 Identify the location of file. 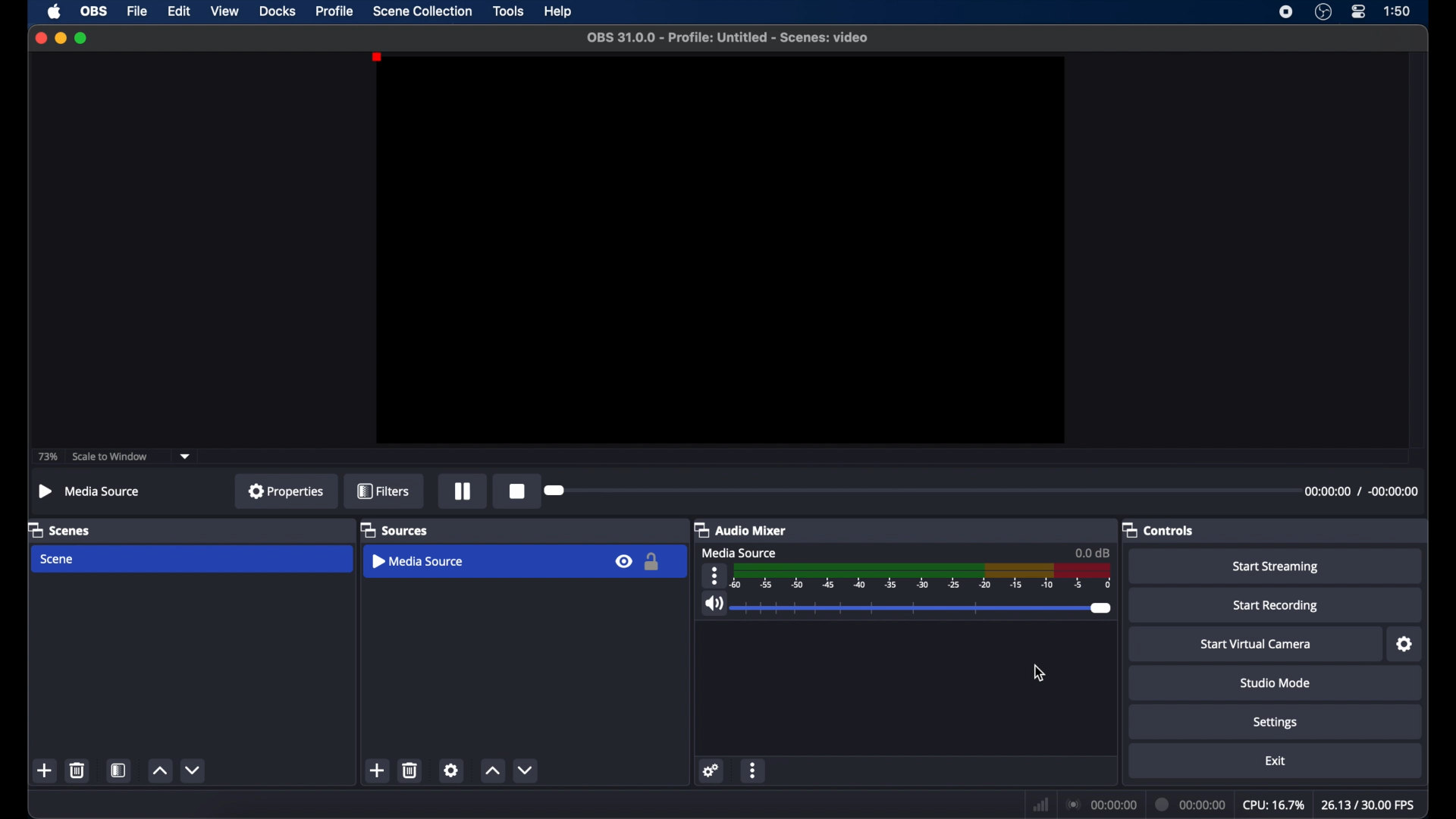
(138, 11).